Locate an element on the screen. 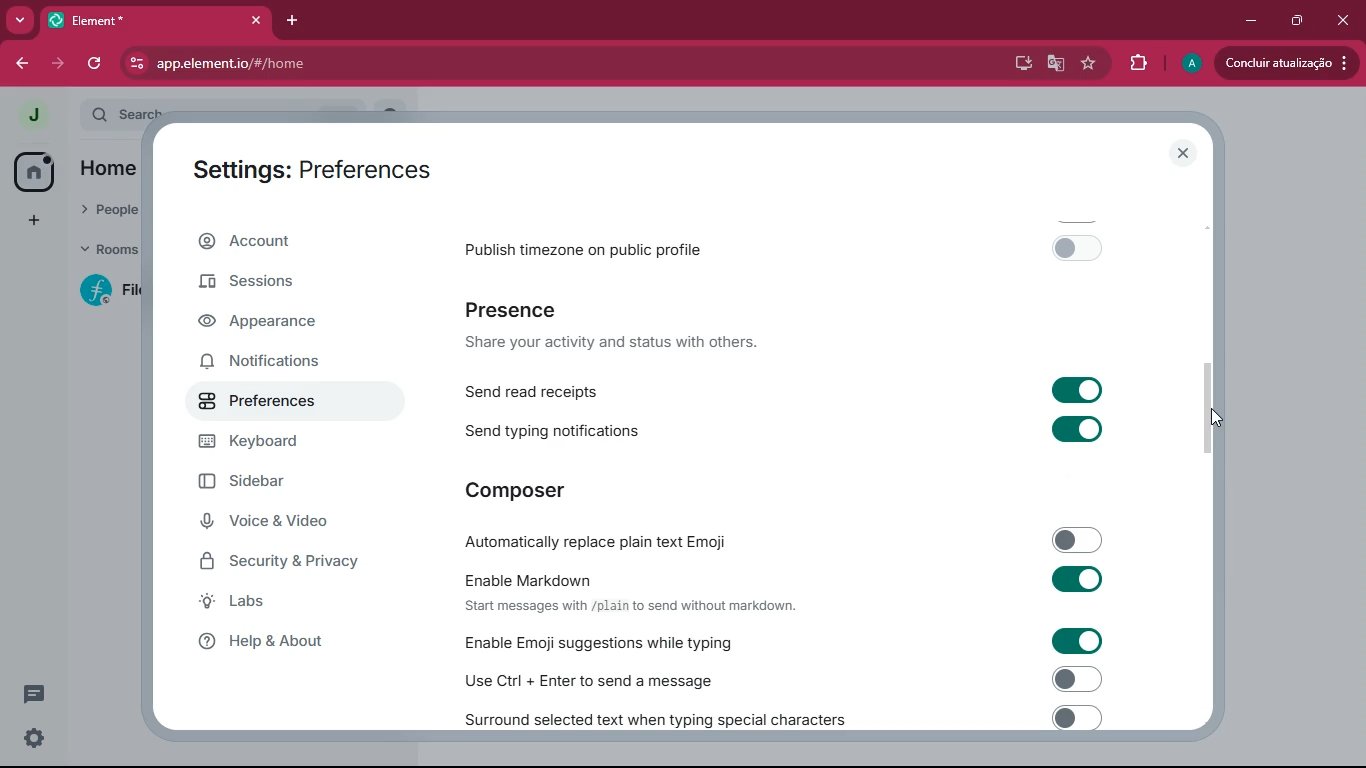 This screenshot has height=768, width=1366. composer is located at coordinates (519, 489).